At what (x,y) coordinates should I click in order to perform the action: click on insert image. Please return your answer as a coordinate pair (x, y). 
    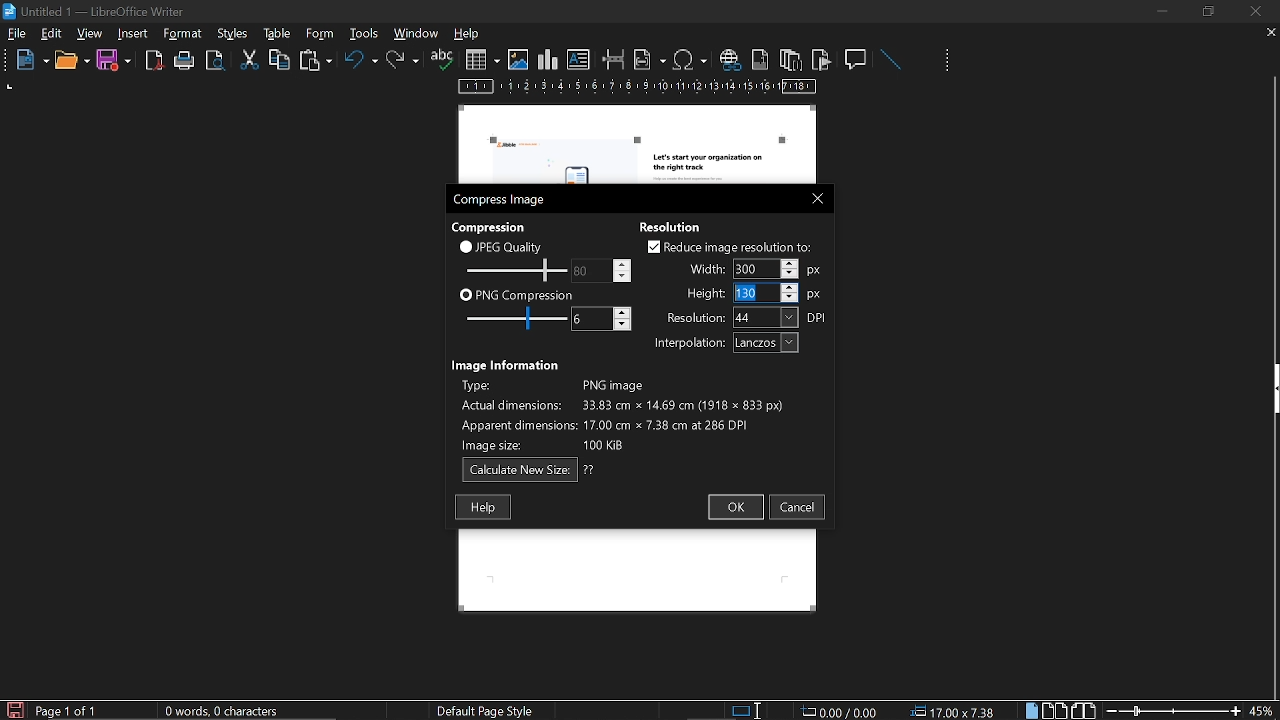
    Looking at the image, I should click on (518, 60).